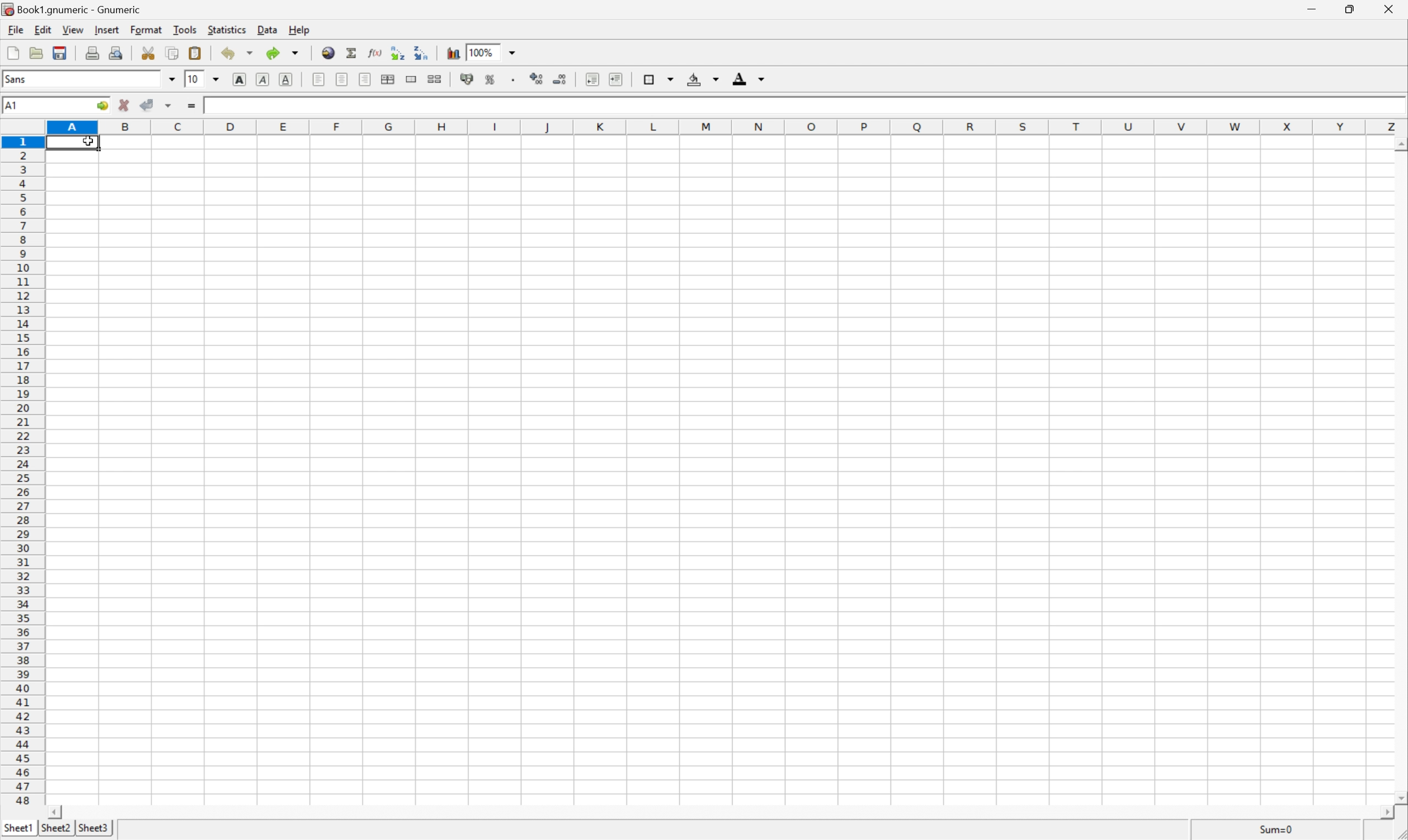 Image resolution: width=1408 pixels, height=840 pixels. Describe the element at coordinates (124, 106) in the screenshot. I see `cancel change` at that location.